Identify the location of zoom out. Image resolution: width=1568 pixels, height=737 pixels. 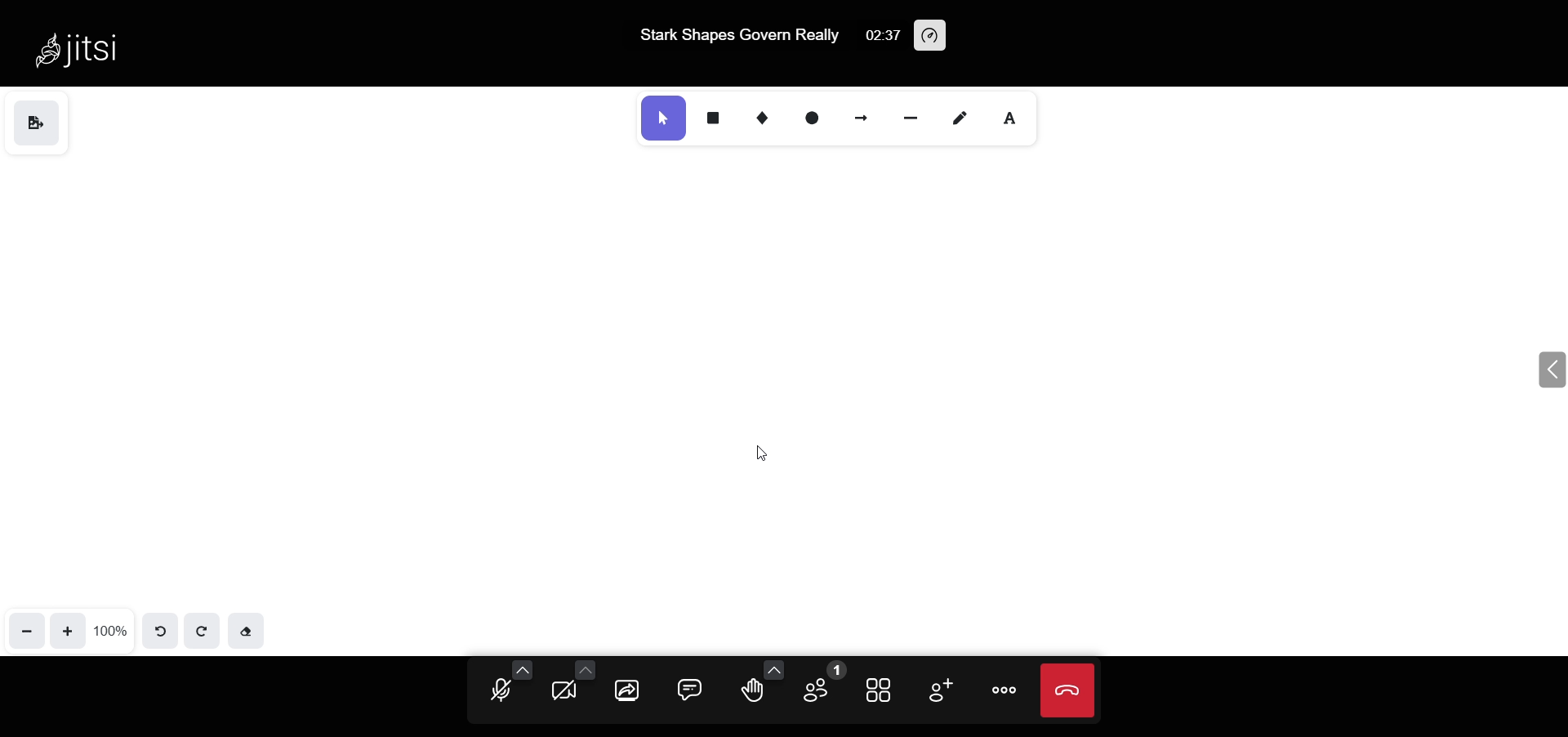
(28, 629).